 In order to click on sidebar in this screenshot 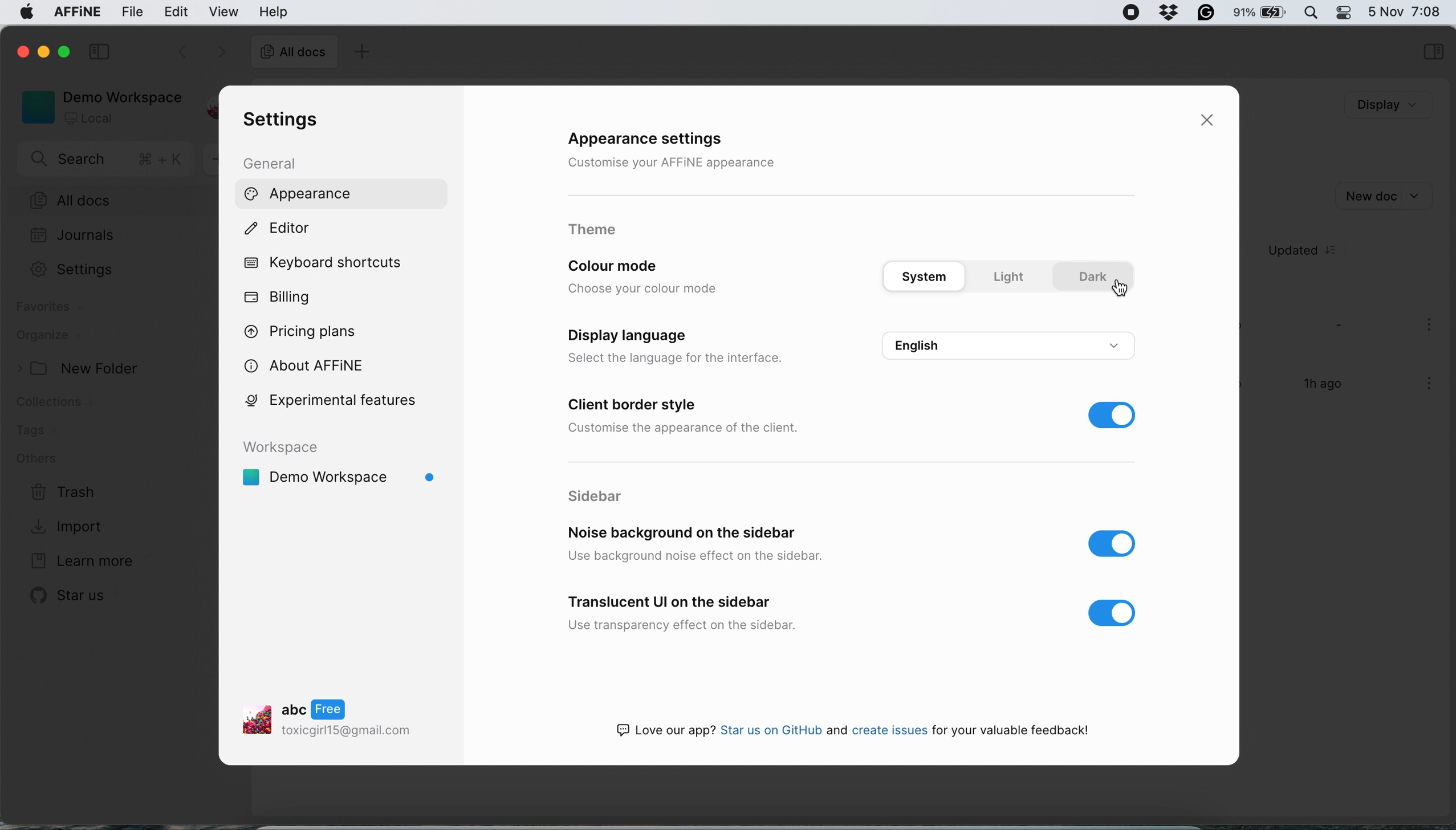, I will do `click(597, 495)`.